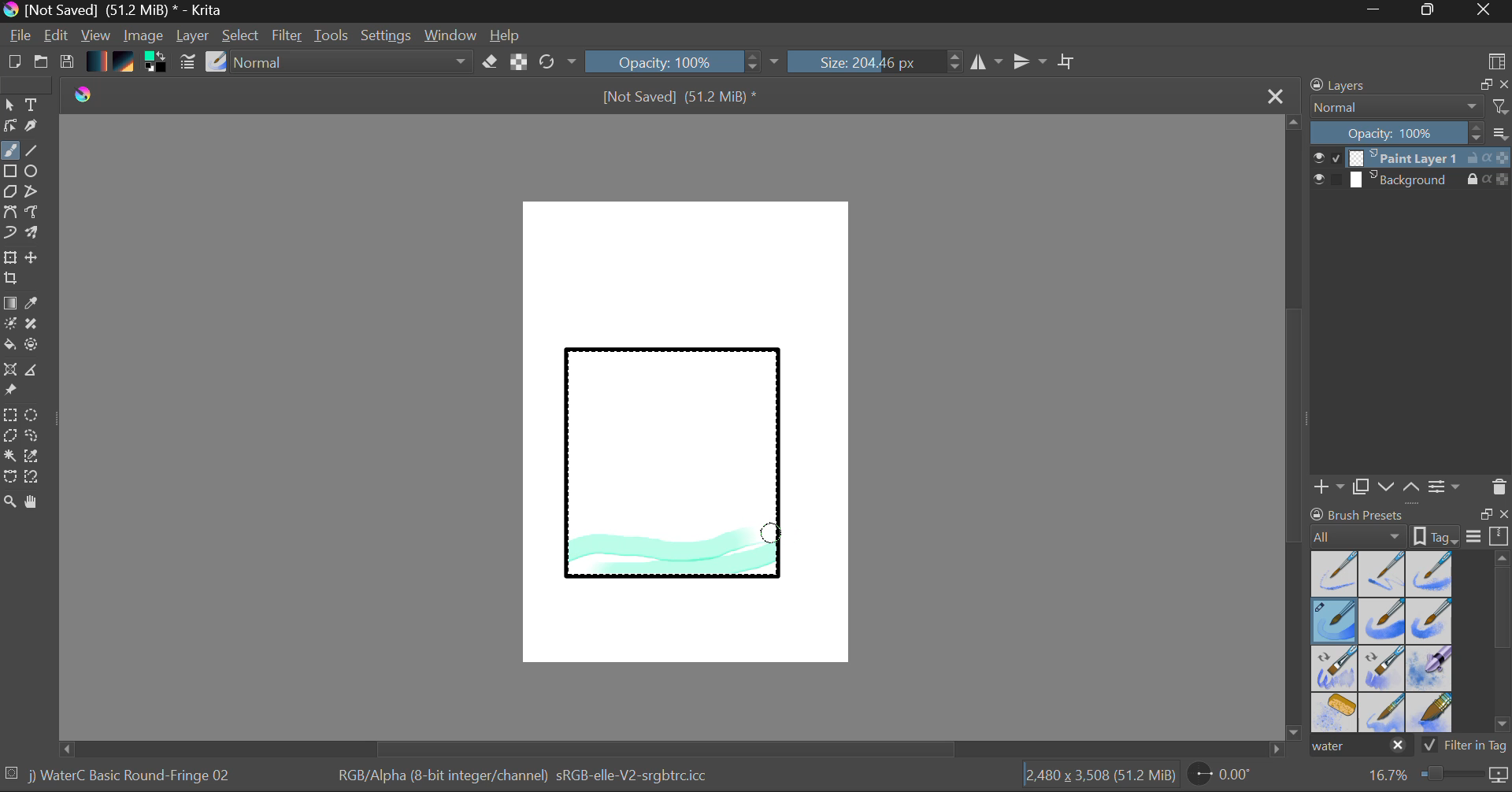 This screenshot has height=792, width=1512. Describe the element at coordinates (32, 438) in the screenshot. I see `Freehand Selection` at that location.